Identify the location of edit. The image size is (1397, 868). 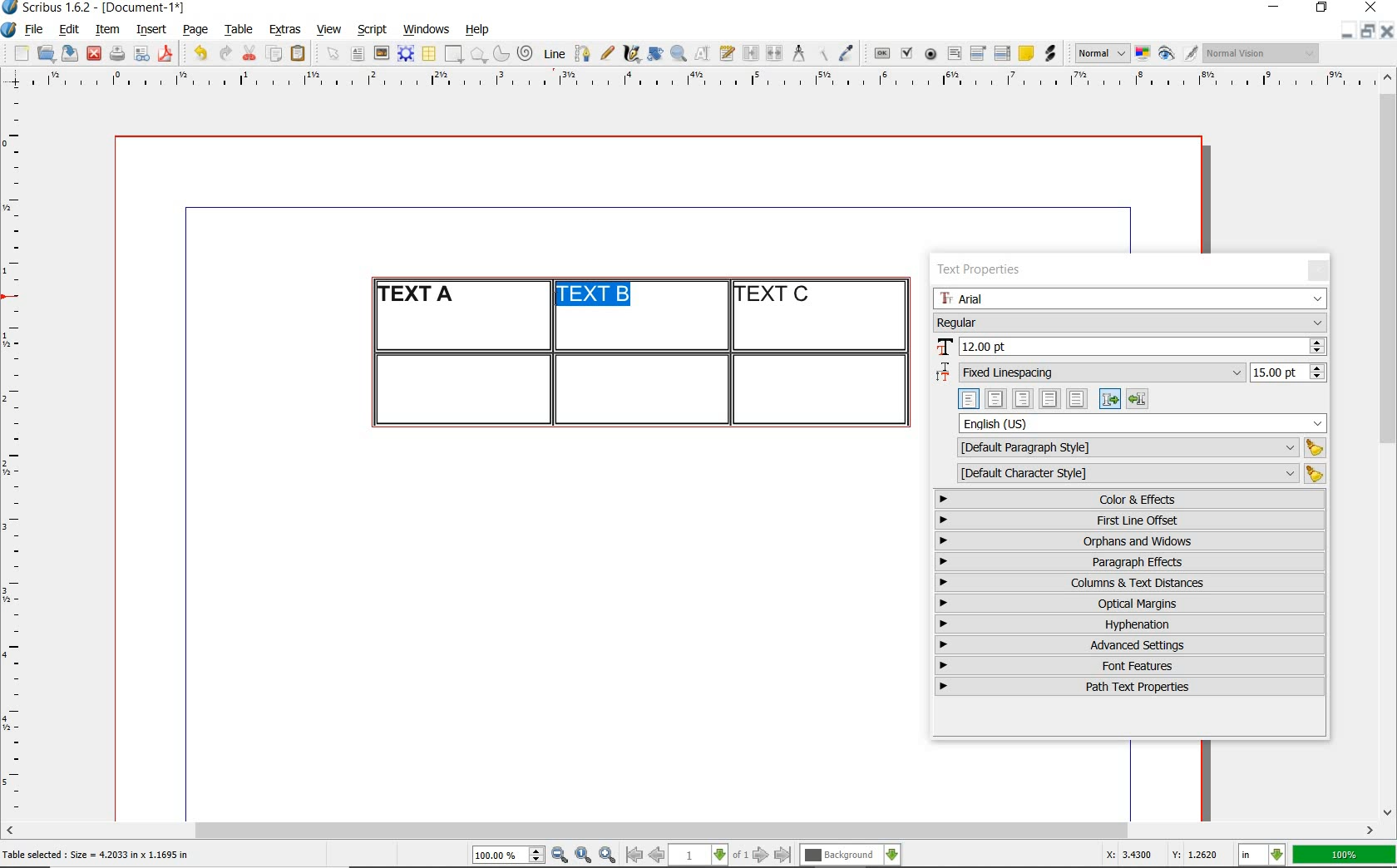
(70, 29).